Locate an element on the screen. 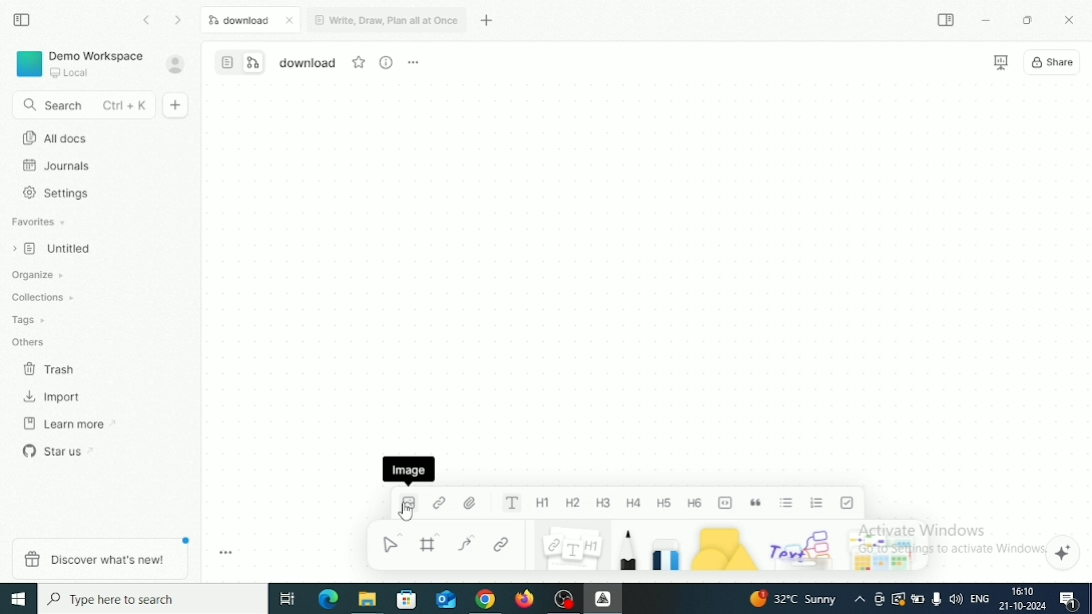 This screenshot has height=614, width=1092. View Info is located at coordinates (387, 62).